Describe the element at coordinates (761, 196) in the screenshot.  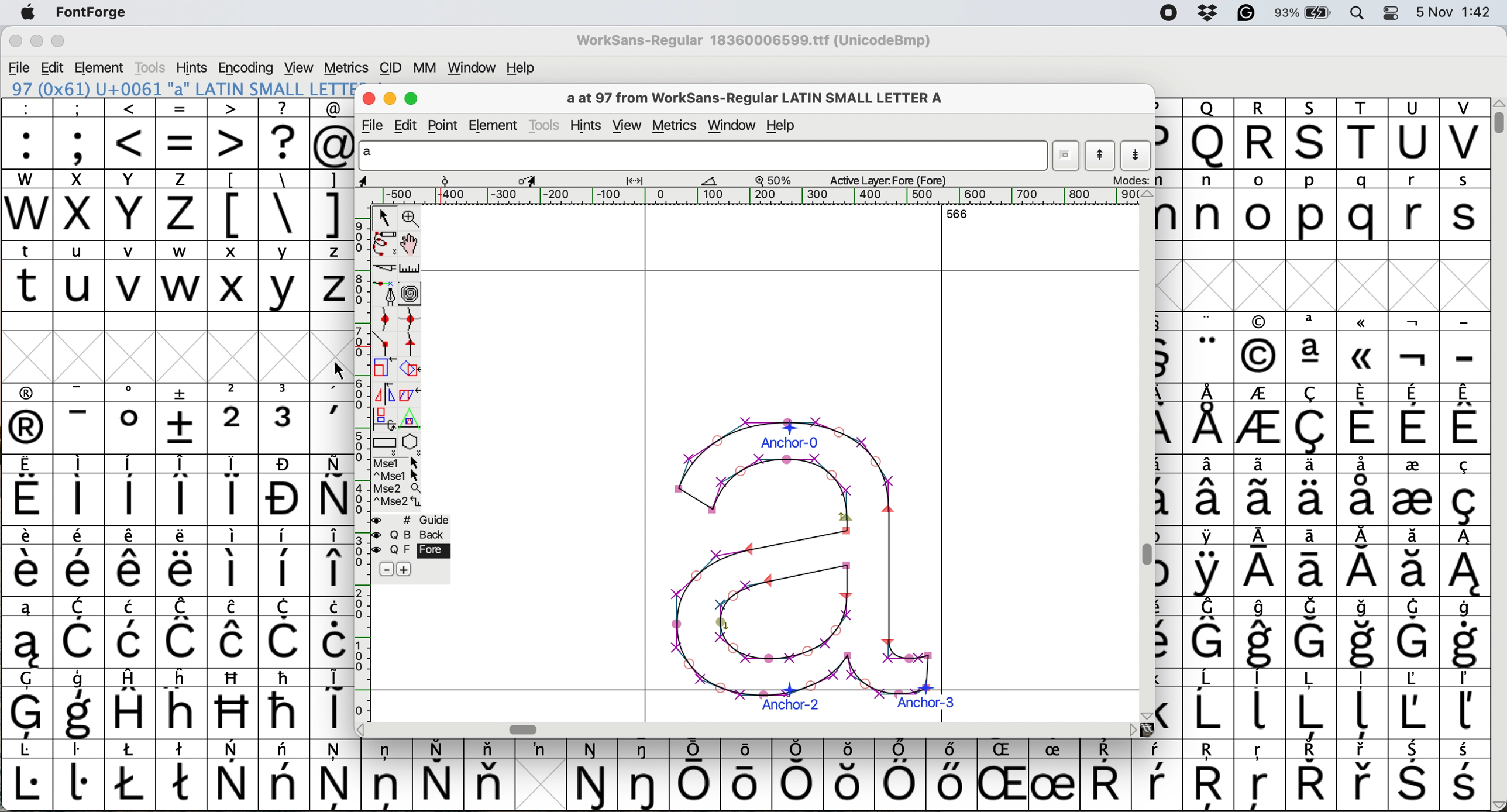
I see `horizontal scale` at that location.